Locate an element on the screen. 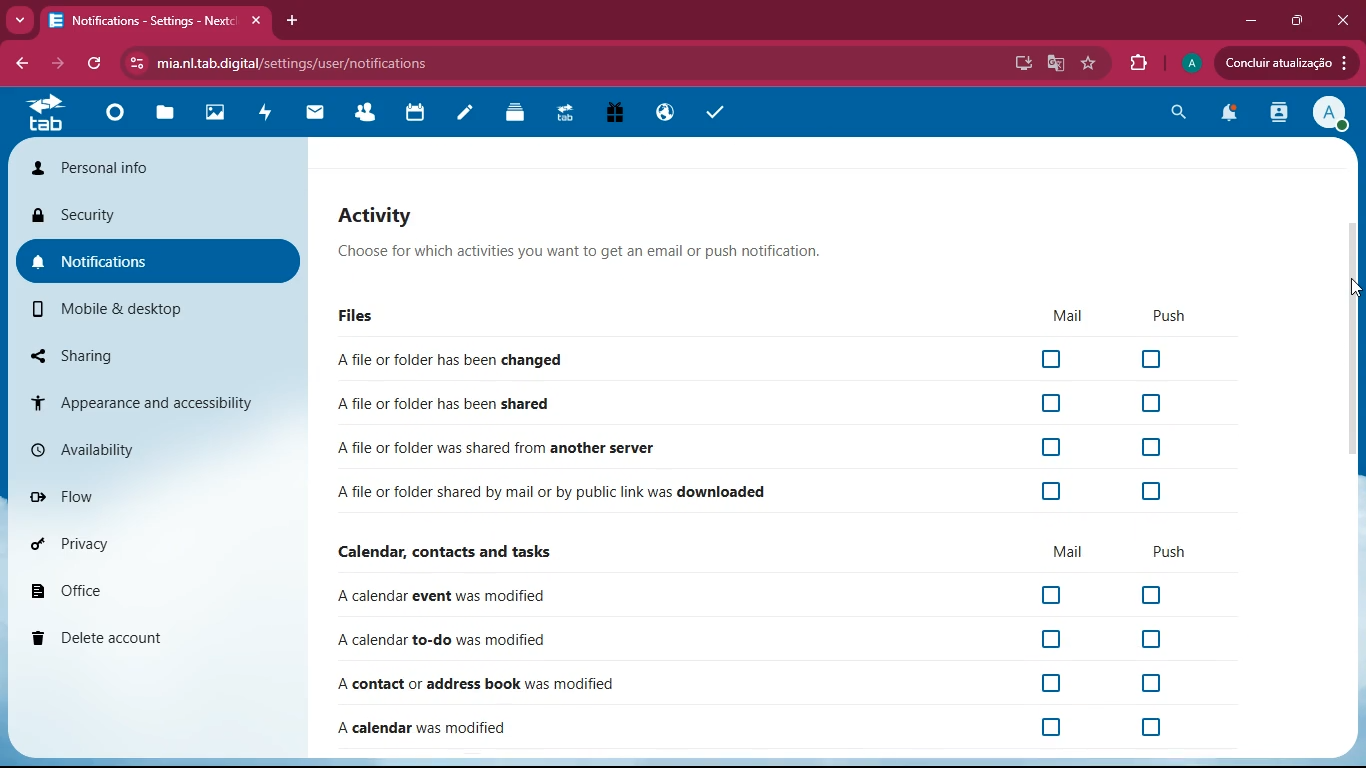  Condluir atualizagio is located at coordinates (1293, 65).